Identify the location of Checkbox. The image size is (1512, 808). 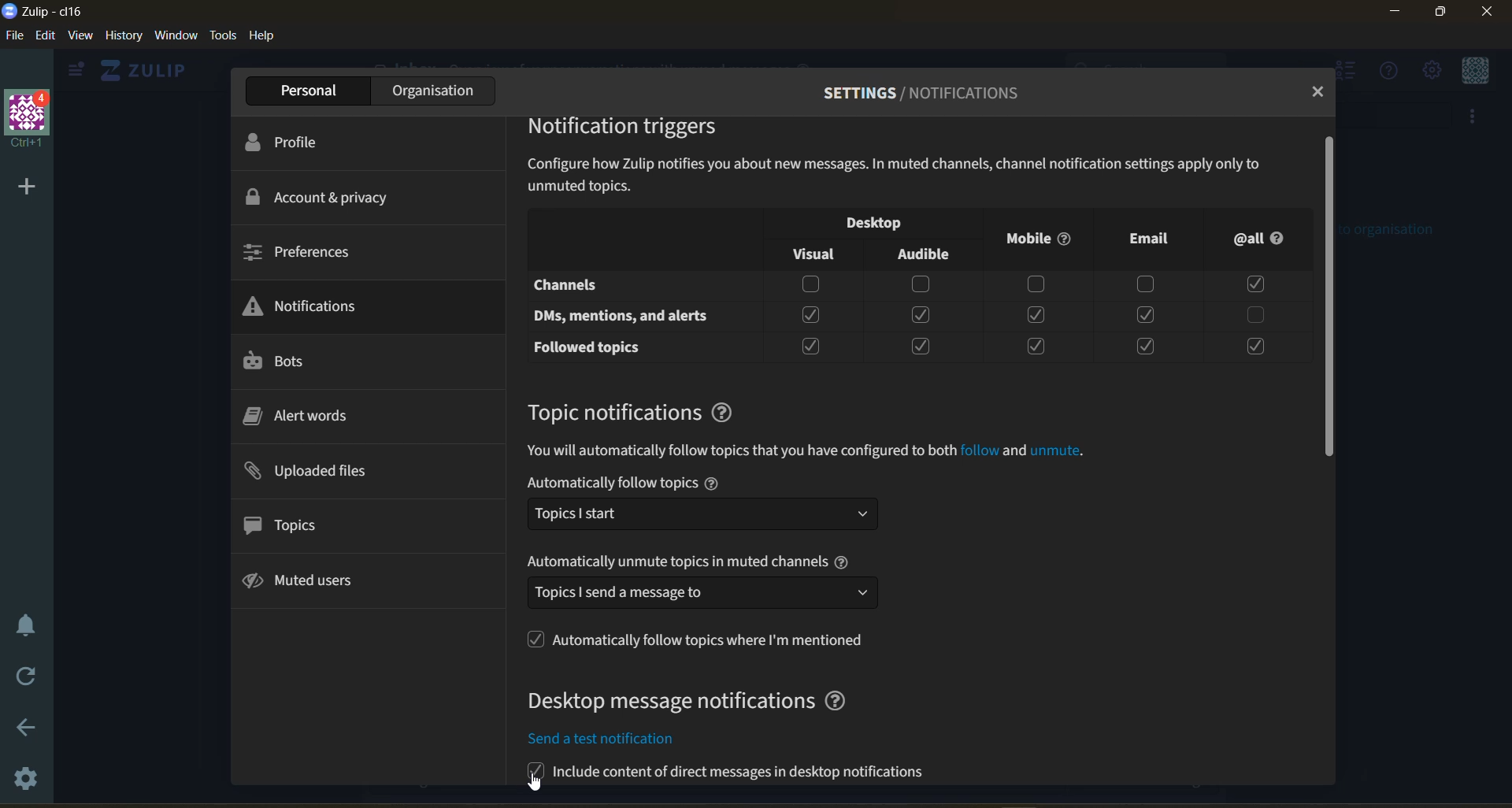
(1036, 346).